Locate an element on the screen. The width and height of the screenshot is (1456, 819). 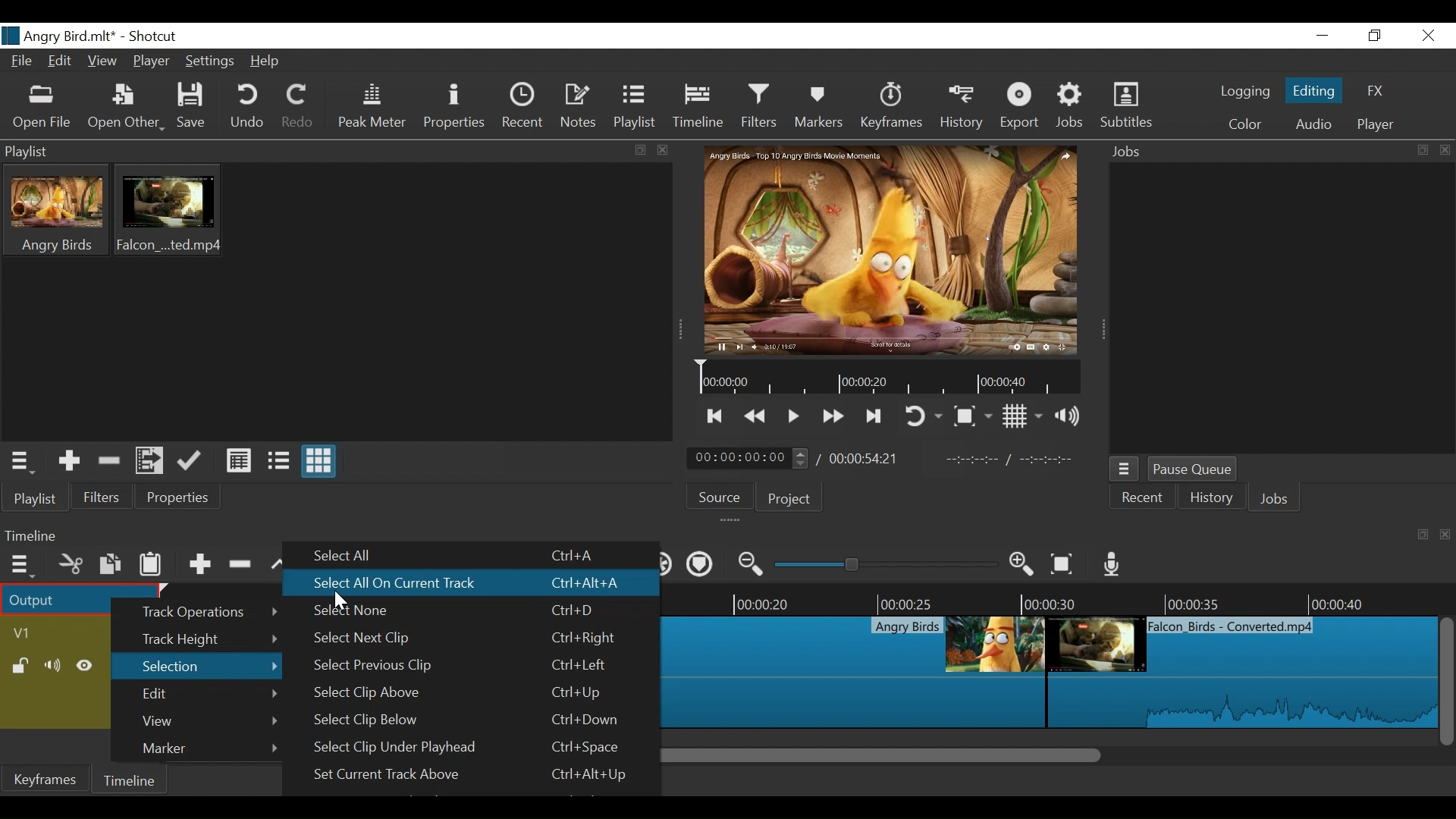
Player is located at coordinates (152, 62).